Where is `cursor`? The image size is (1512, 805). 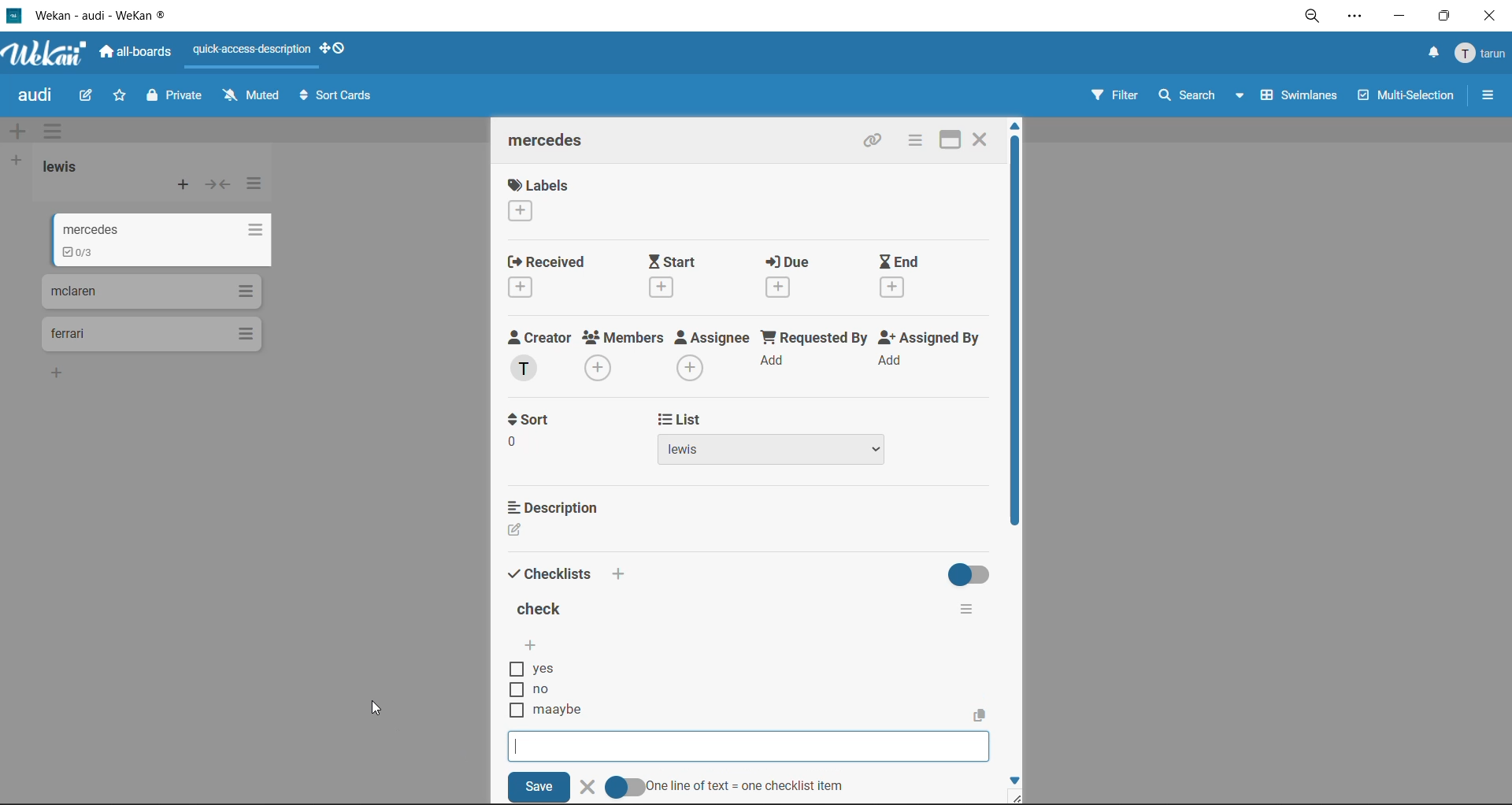
cursor is located at coordinates (378, 707).